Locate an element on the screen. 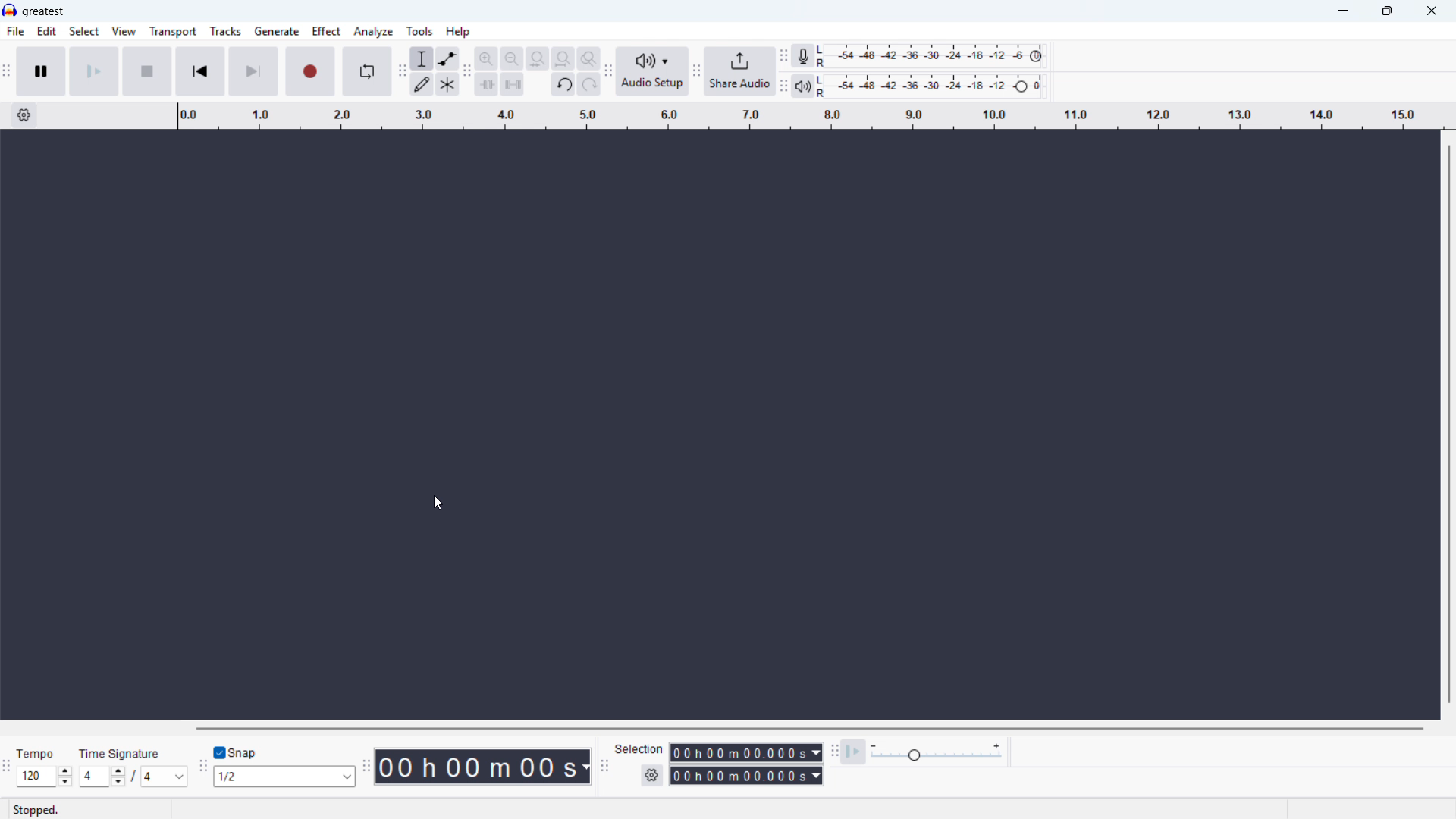 The image size is (1456, 819). Silence audio selection  is located at coordinates (512, 84).